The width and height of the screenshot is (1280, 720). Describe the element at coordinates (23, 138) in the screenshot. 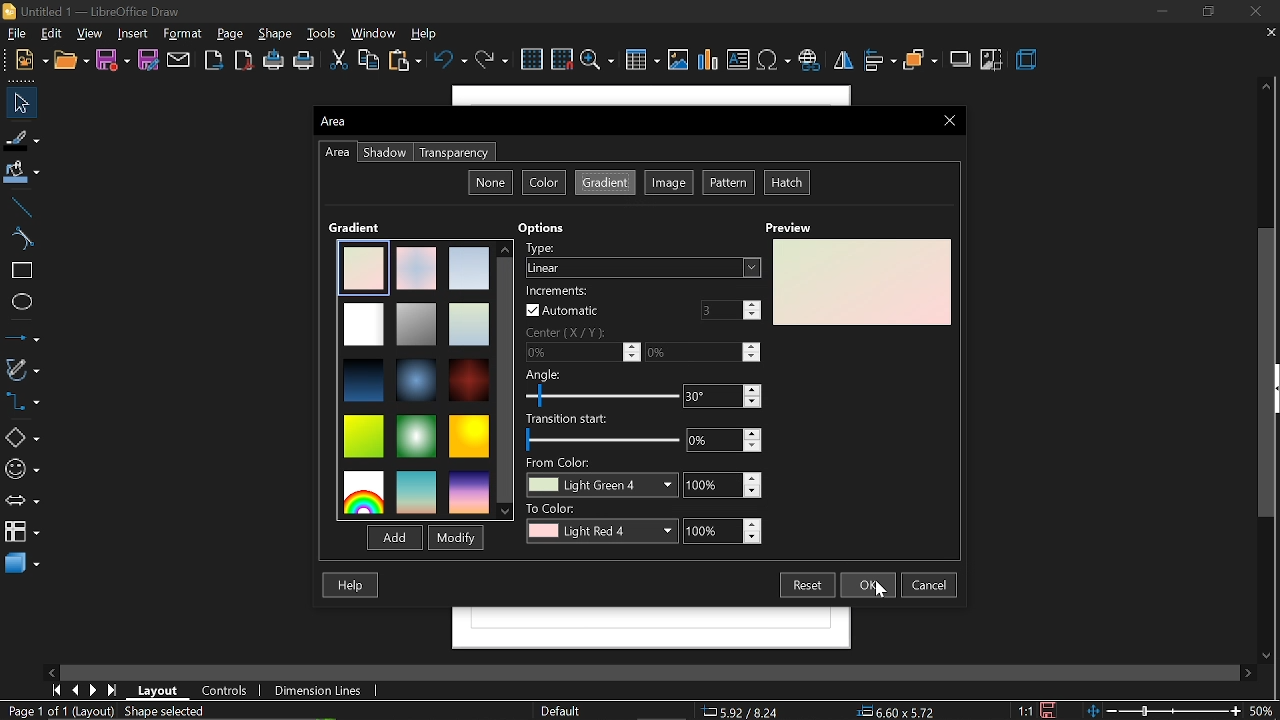

I see `fill line` at that location.